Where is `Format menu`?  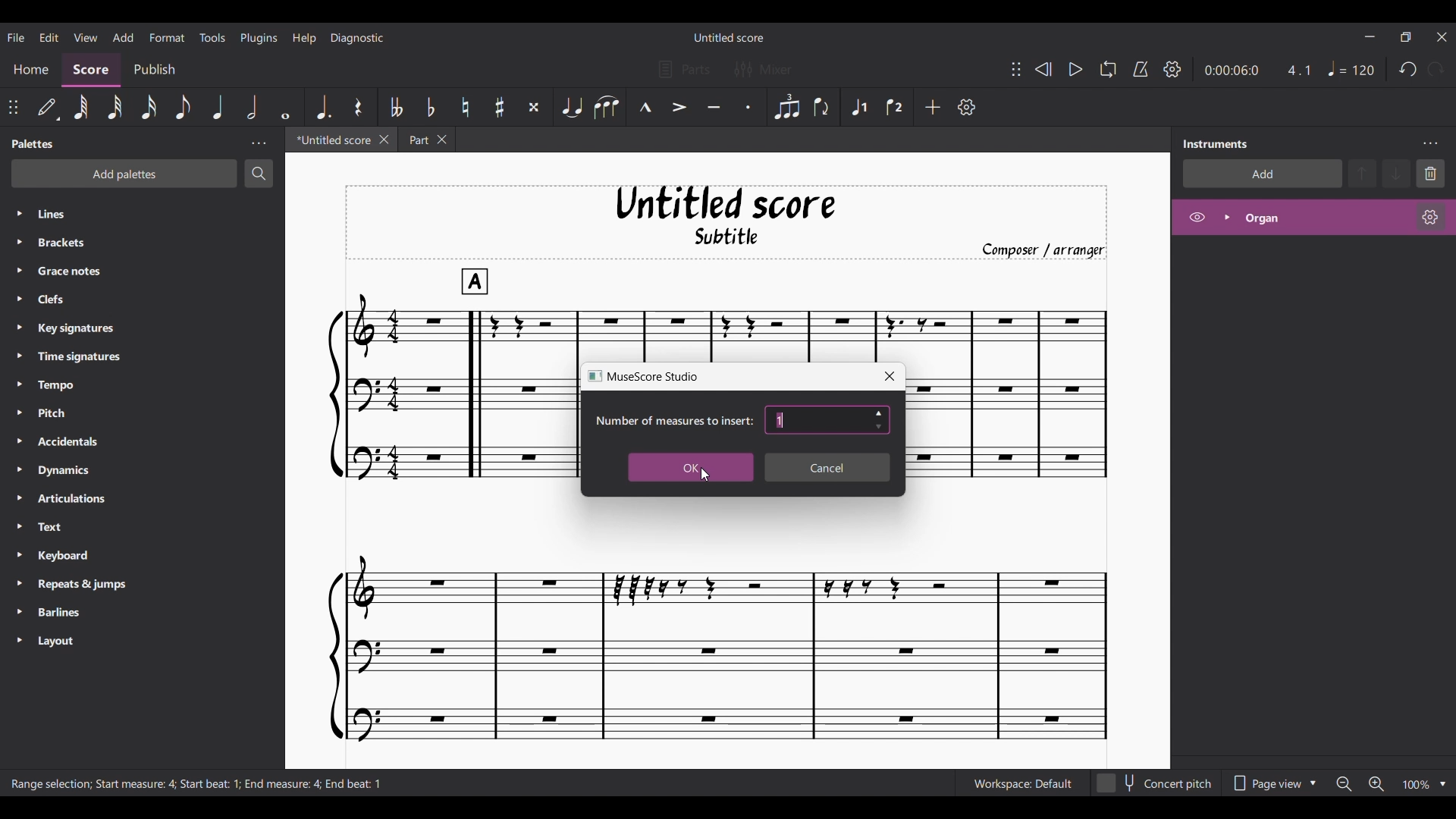
Format menu is located at coordinates (167, 37).